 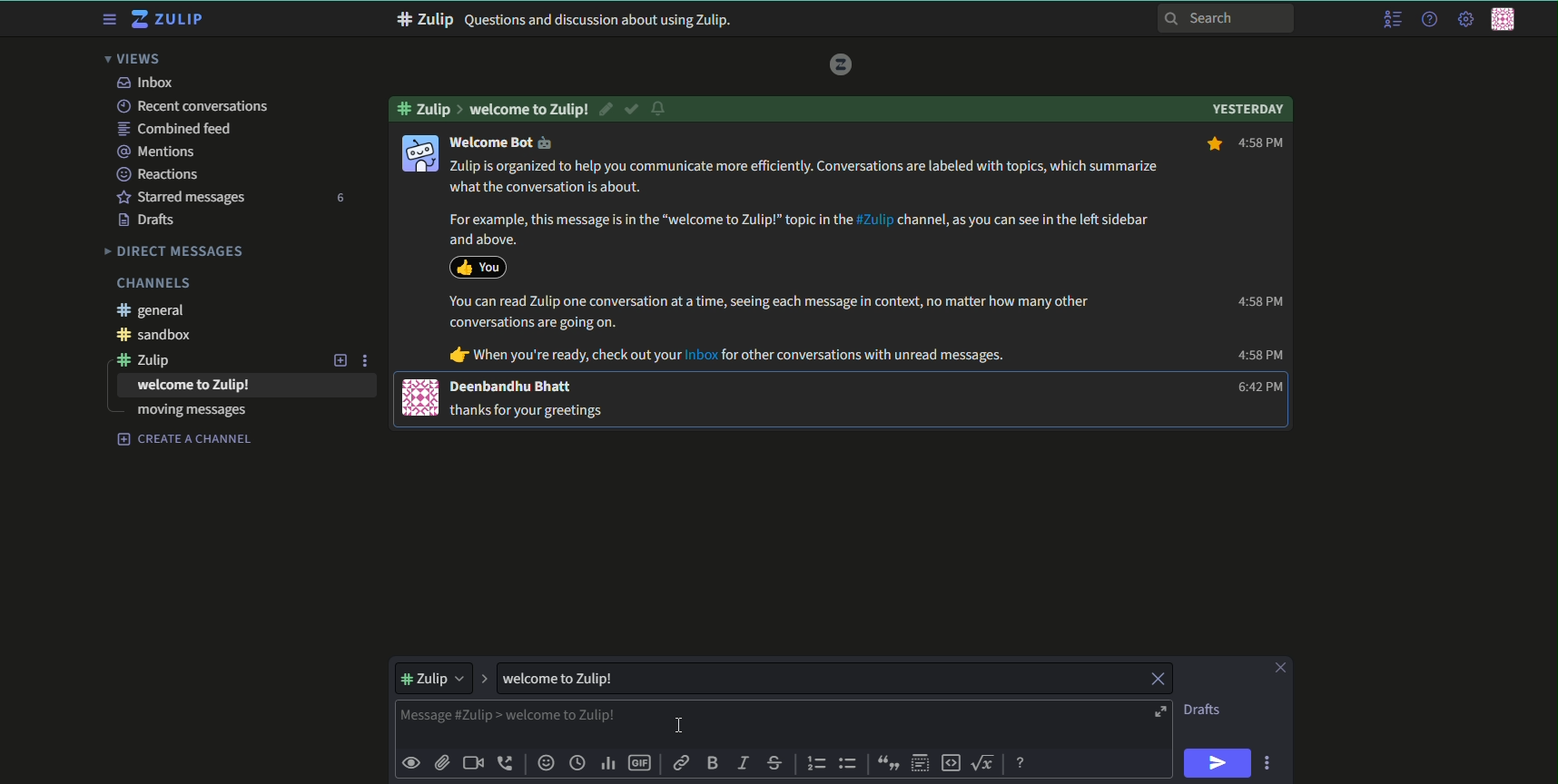 What do you see at coordinates (194, 386) in the screenshot?
I see `welcome to zulip!` at bounding box center [194, 386].